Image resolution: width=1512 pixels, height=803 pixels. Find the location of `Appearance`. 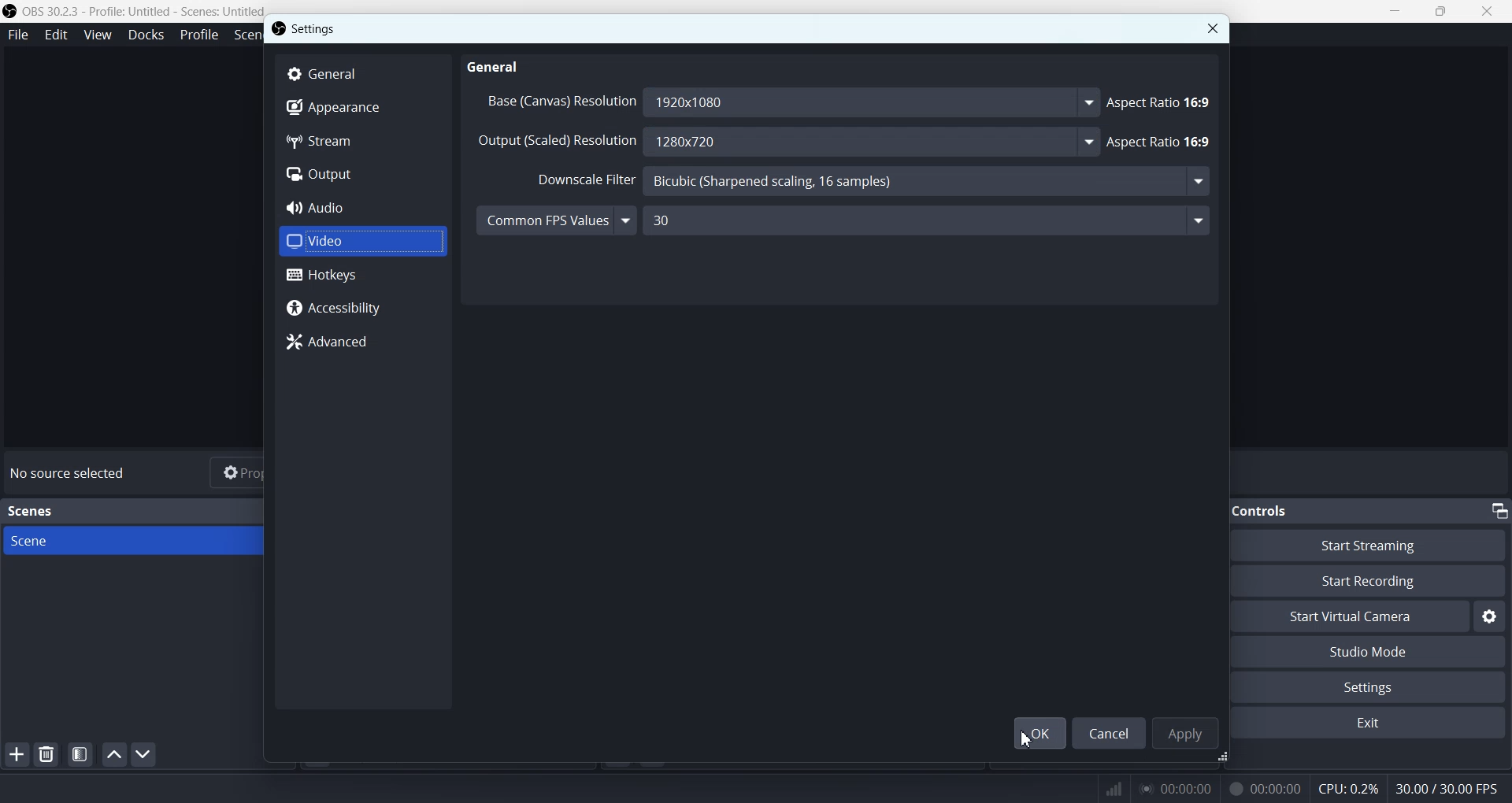

Appearance is located at coordinates (362, 109).